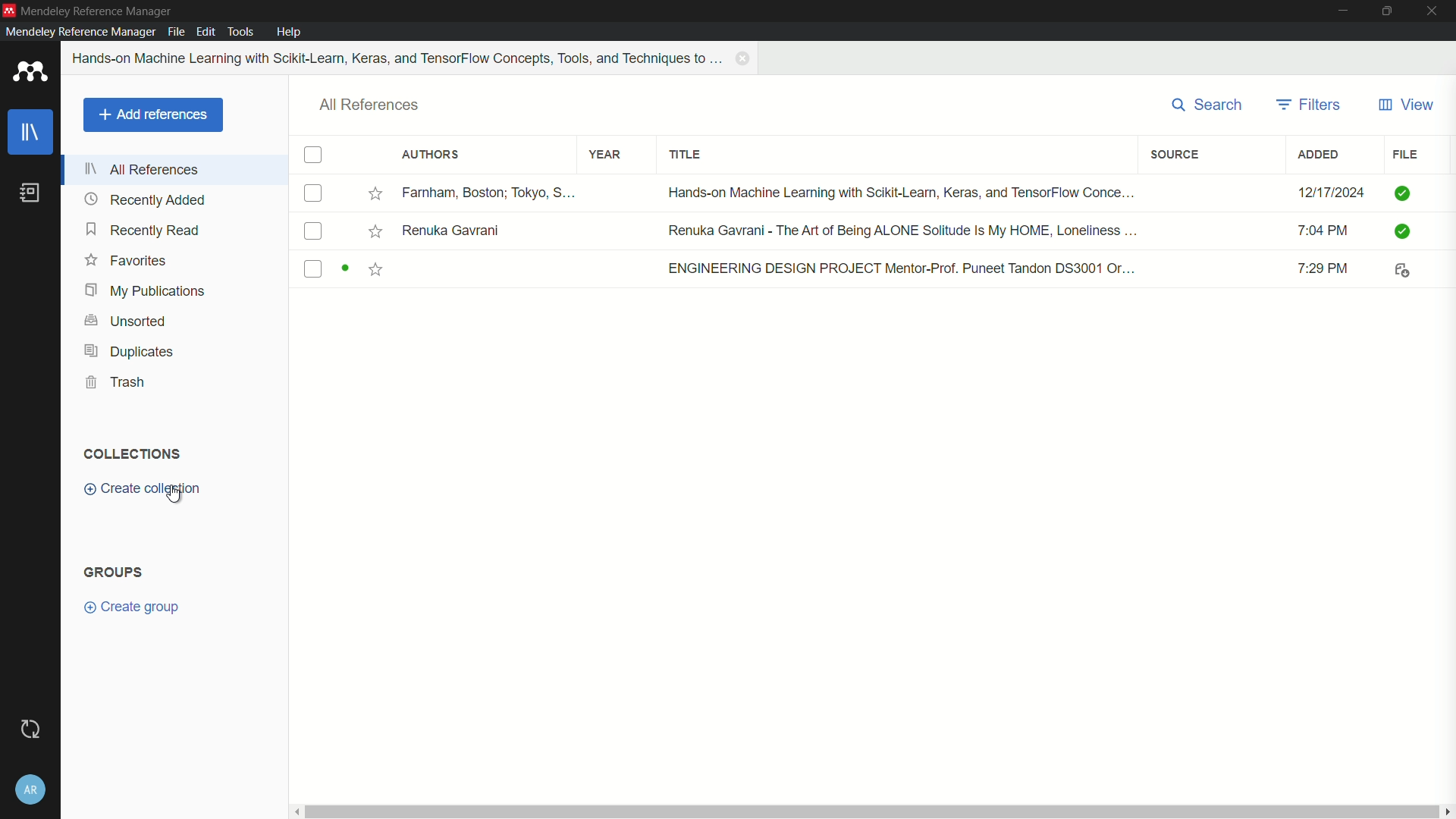  What do you see at coordinates (865, 193) in the screenshot?
I see `book-1` at bounding box center [865, 193].